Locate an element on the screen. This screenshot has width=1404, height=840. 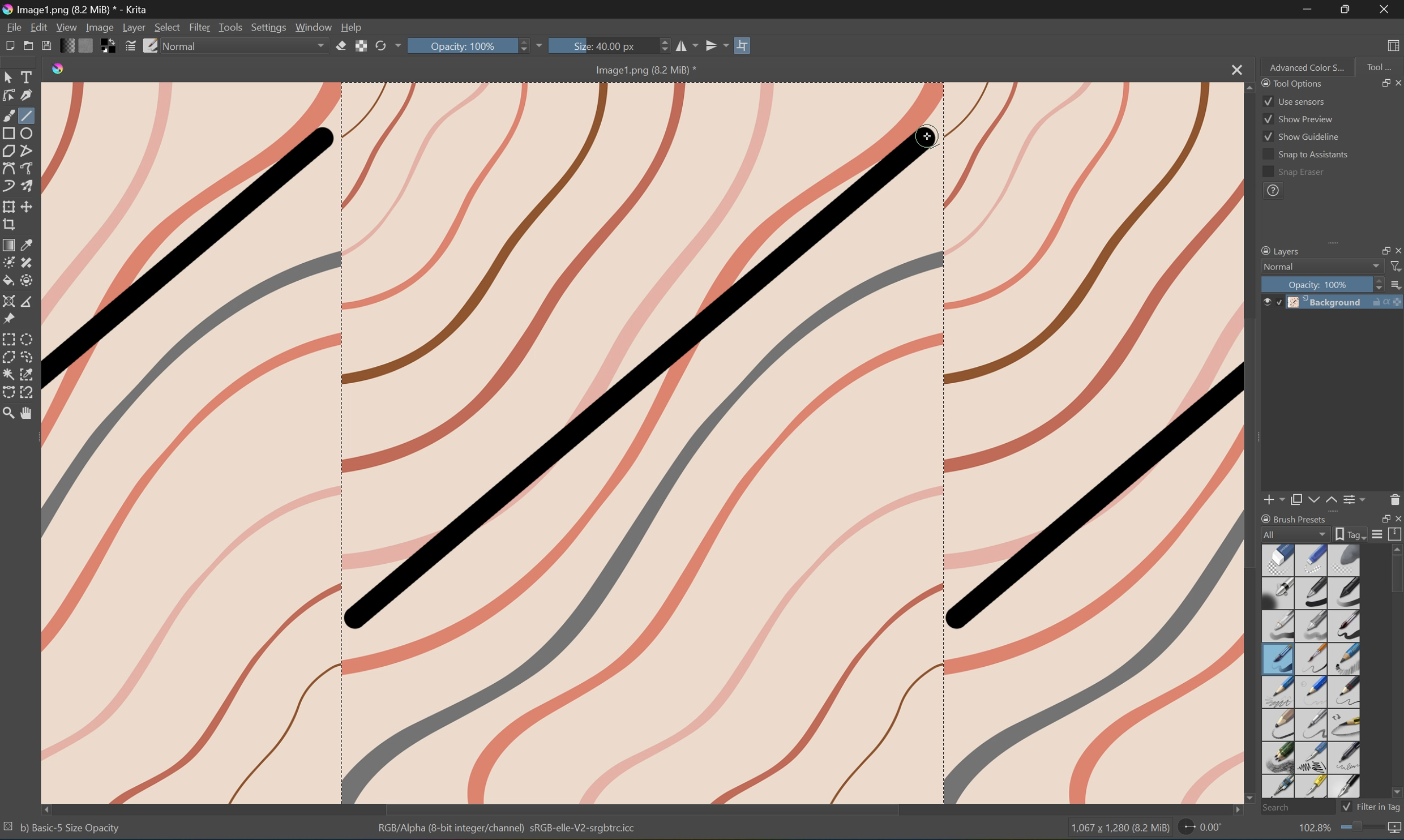
Choose brush preset is located at coordinates (151, 45).